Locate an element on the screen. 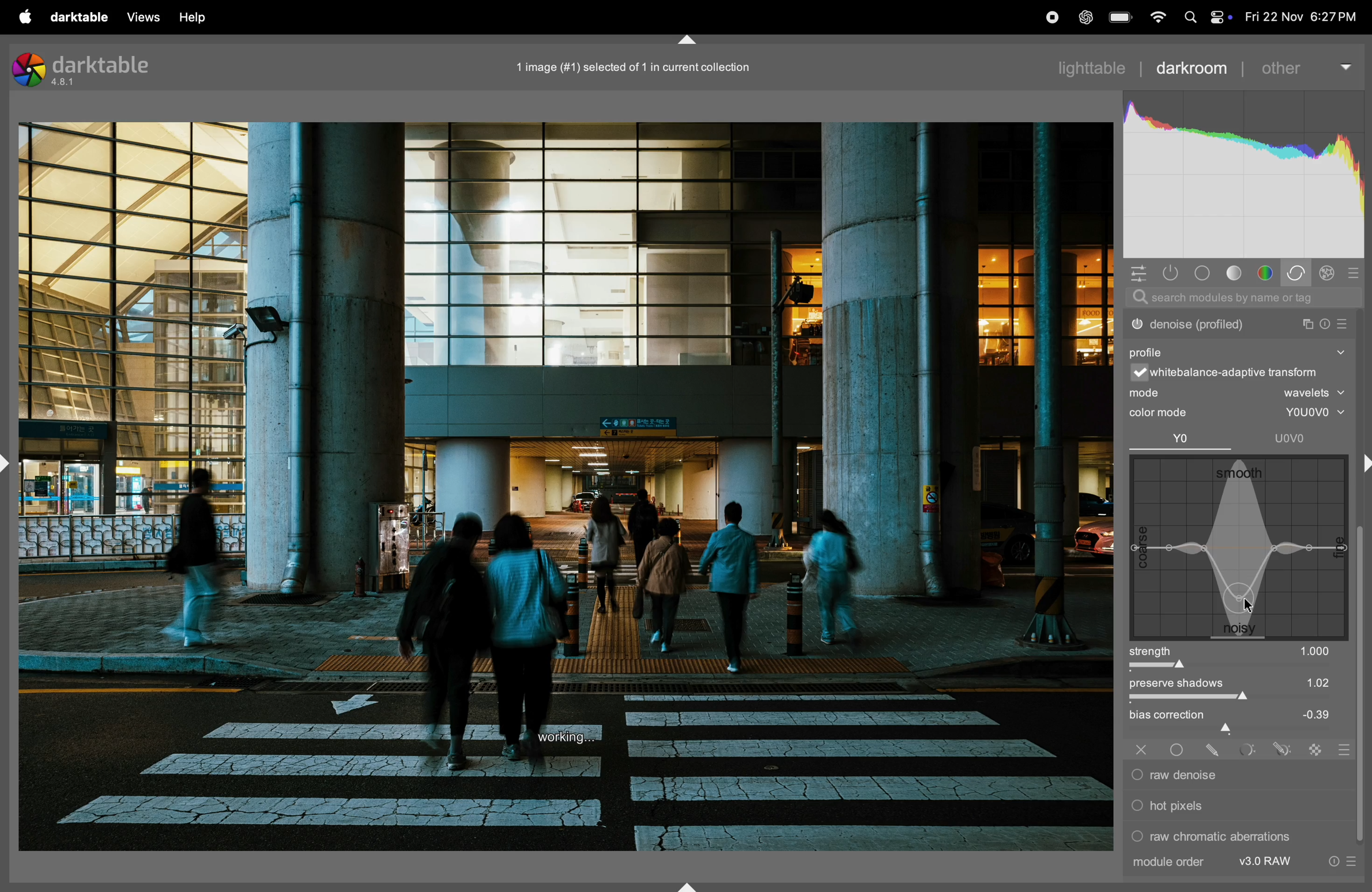 The width and height of the screenshot is (1372, 892). preserve shadows is located at coordinates (1237, 689).